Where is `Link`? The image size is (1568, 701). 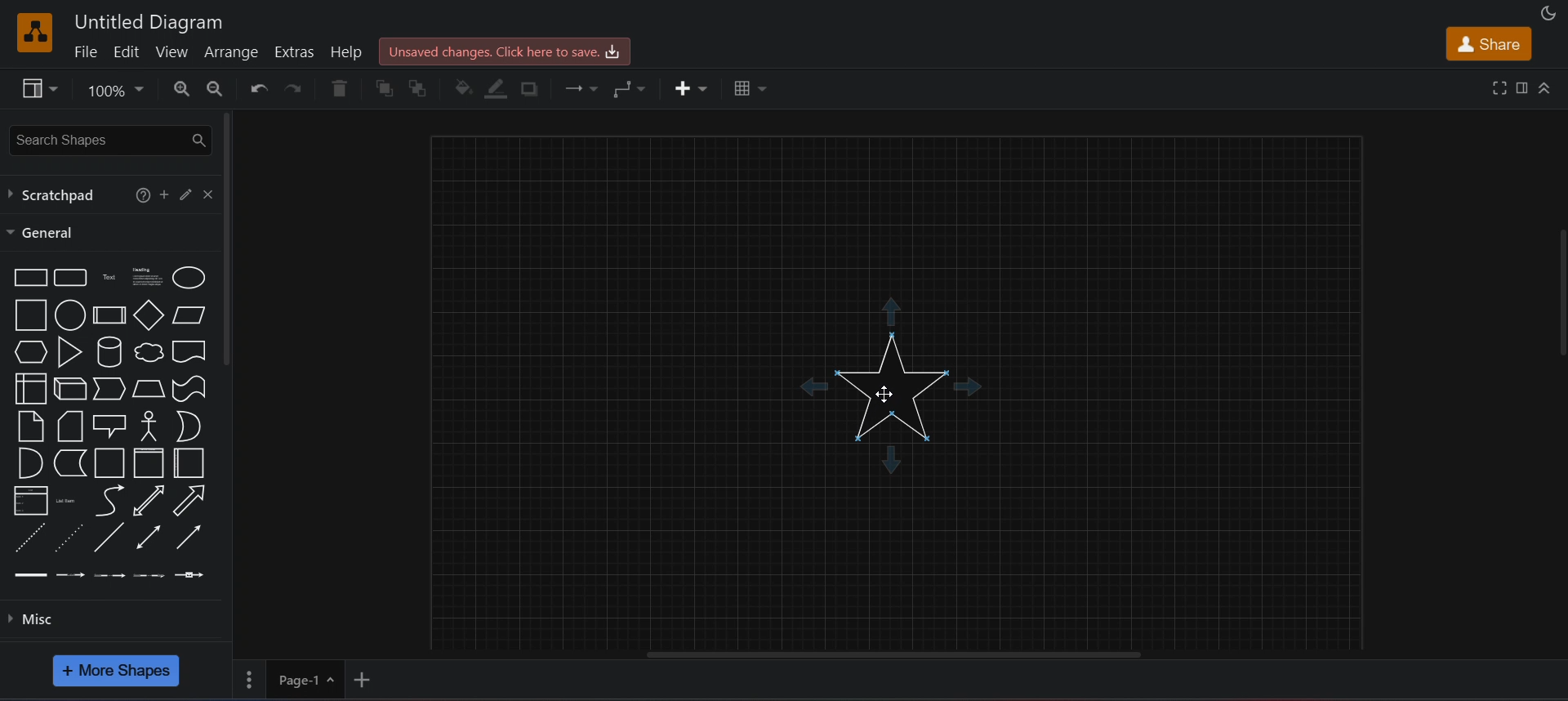
Link is located at coordinates (31, 578).